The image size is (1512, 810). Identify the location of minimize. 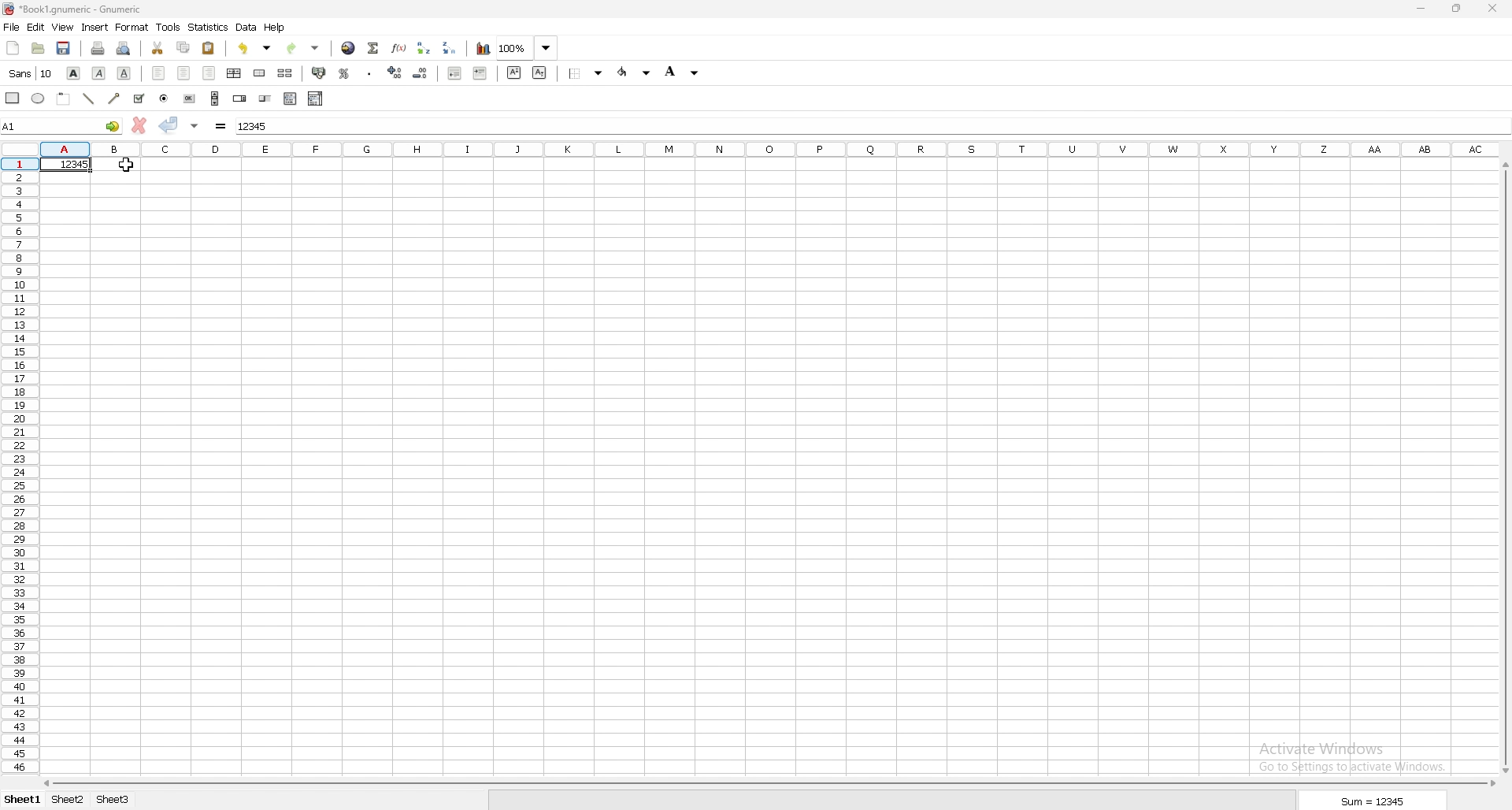
(1424, 7).